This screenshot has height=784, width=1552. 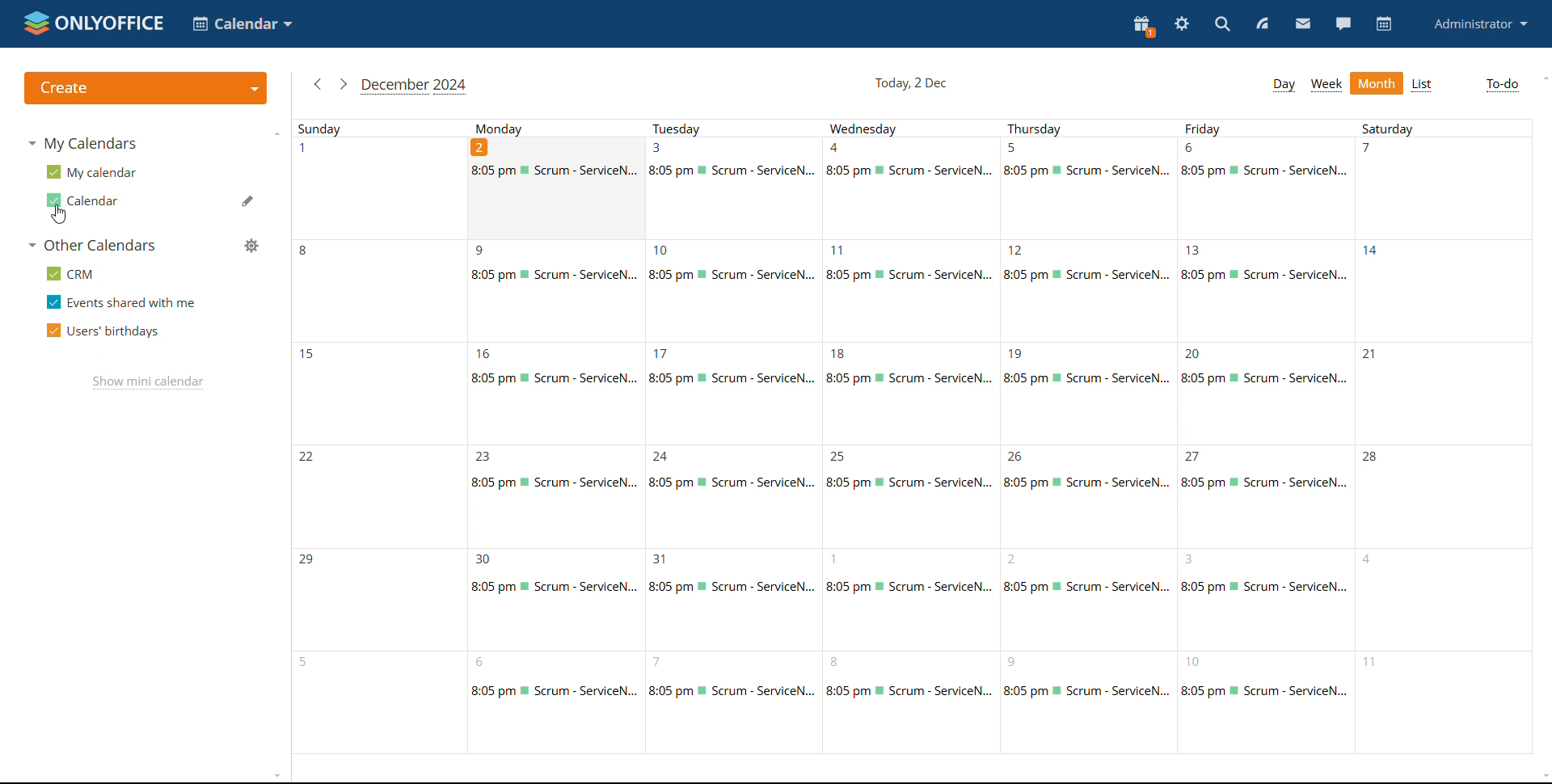 What do you see at coordinates (243, 24) in the screenshot?
I see `select application` at bounding box center [243, 24].